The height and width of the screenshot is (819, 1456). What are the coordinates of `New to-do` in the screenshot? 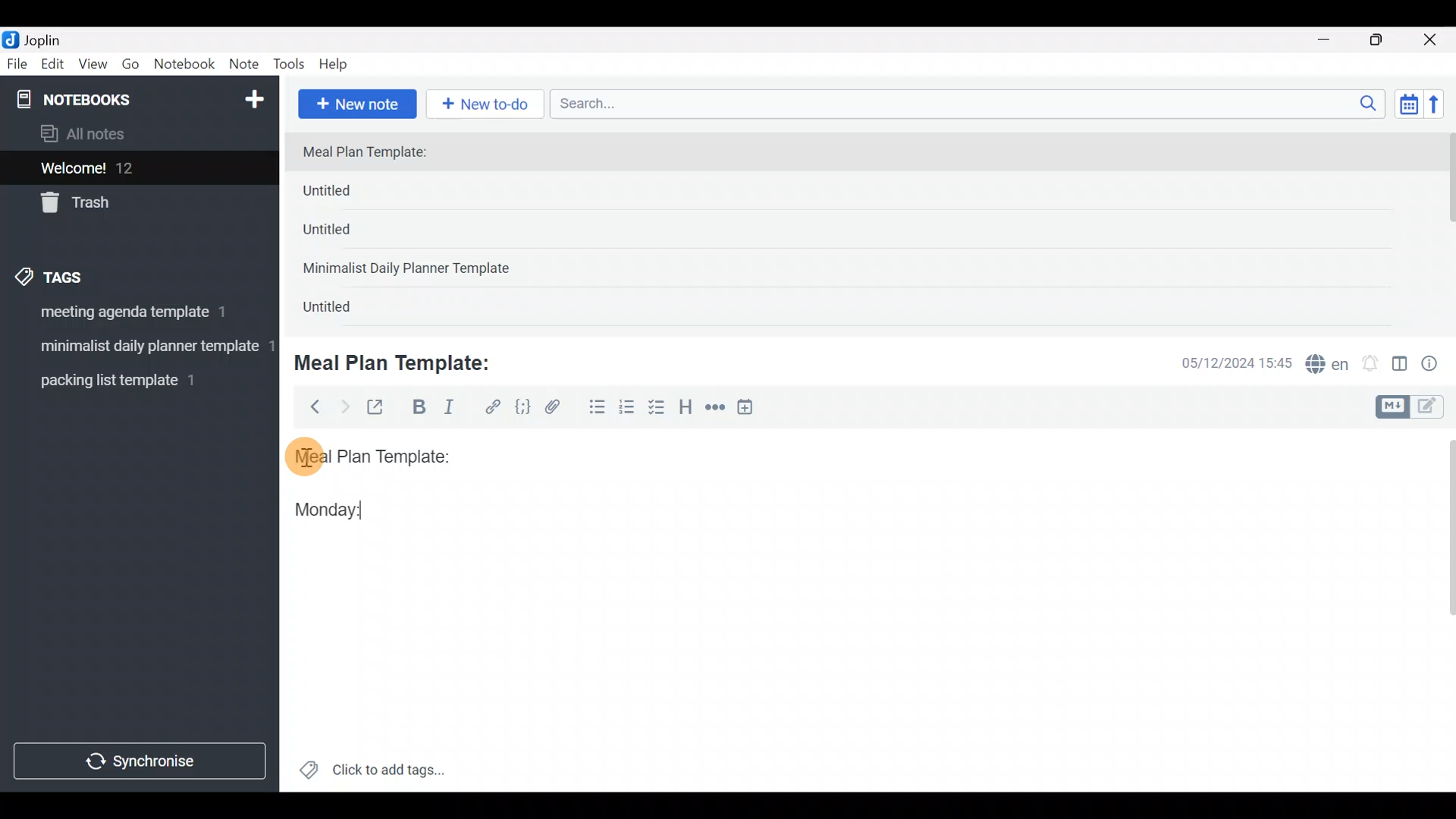 It's located at (488, 105).